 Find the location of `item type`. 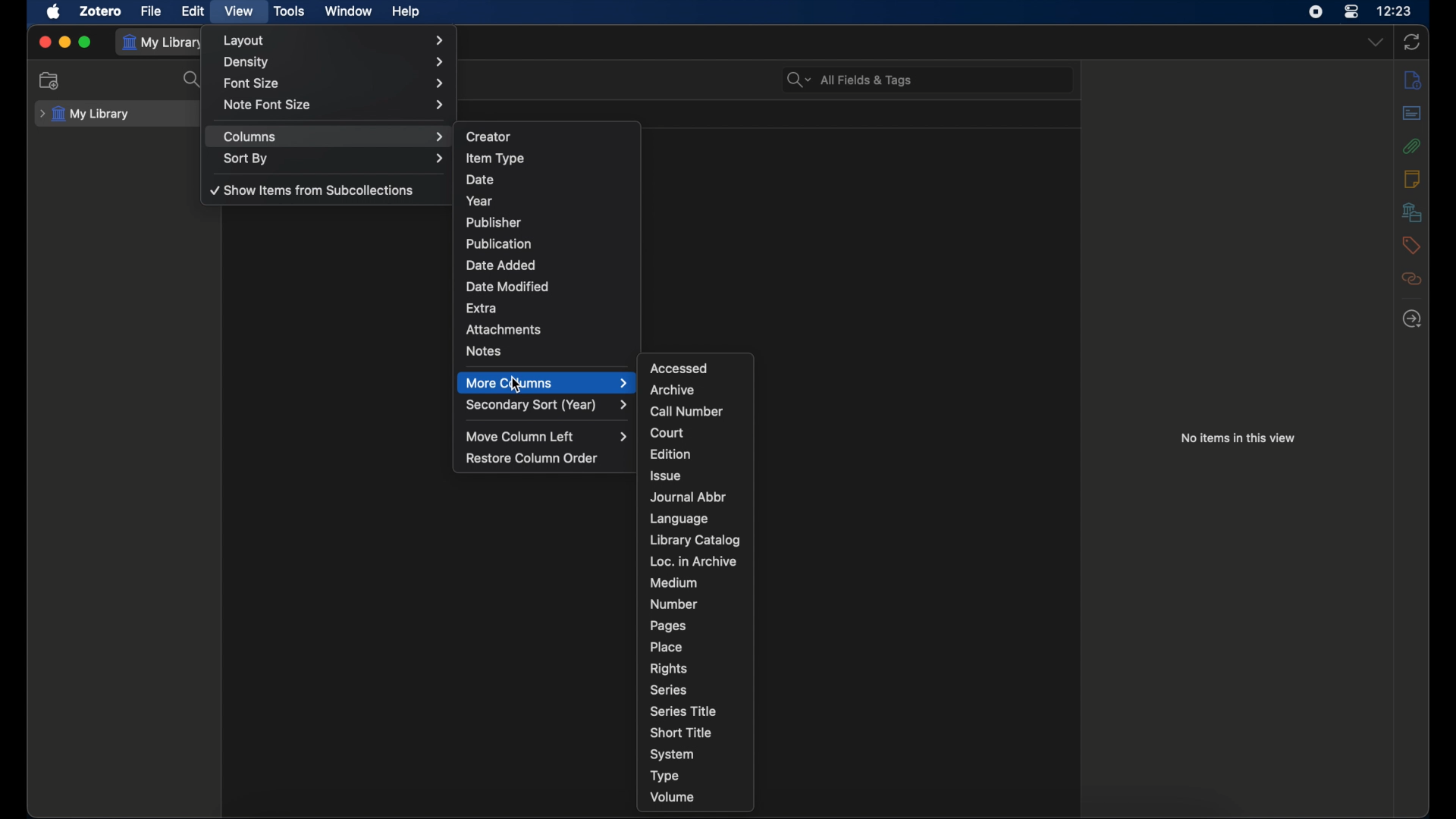

item type is located at coordinates (496, 159).